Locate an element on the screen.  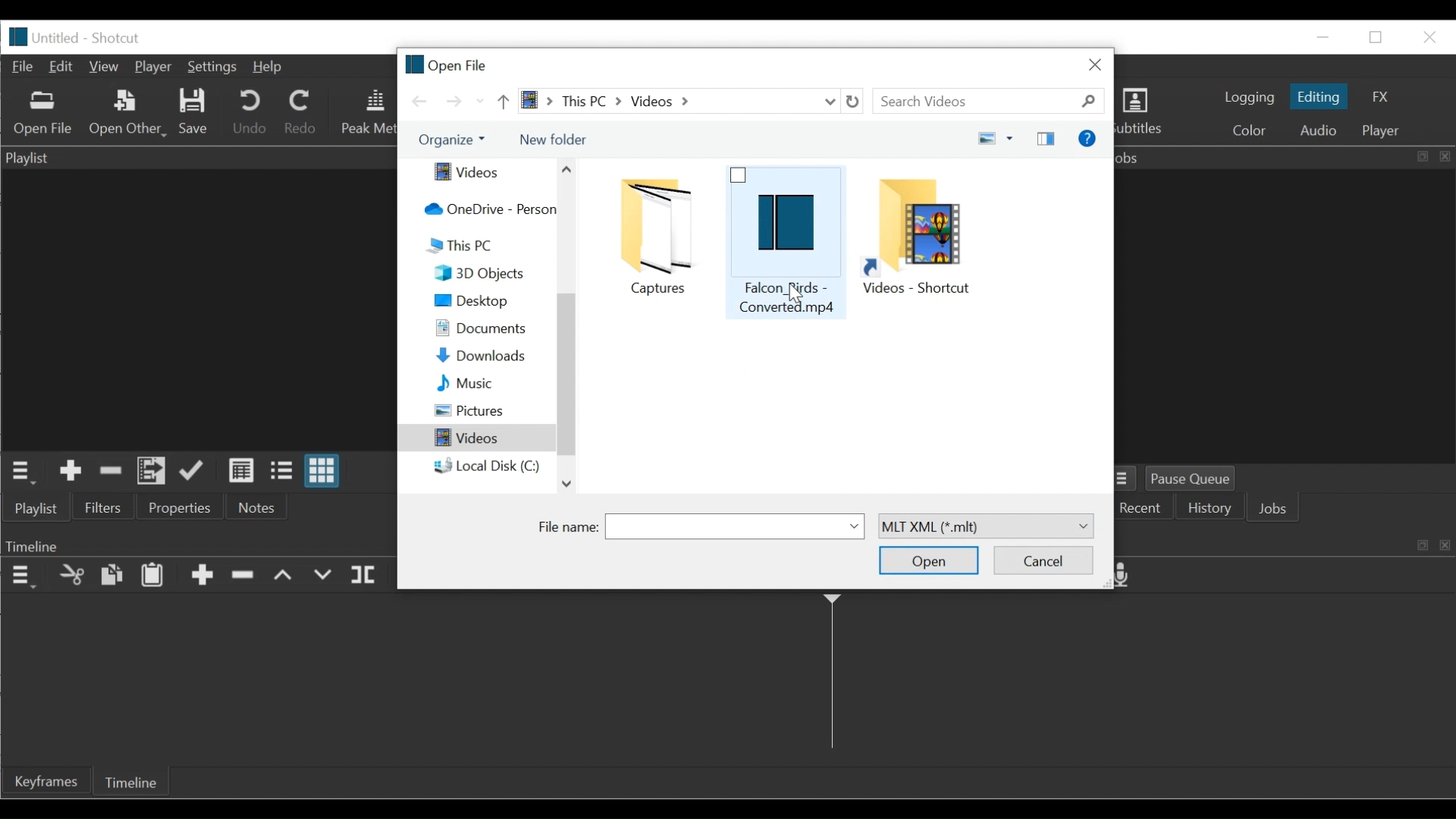
Edit is located at coordinates (64, 67).